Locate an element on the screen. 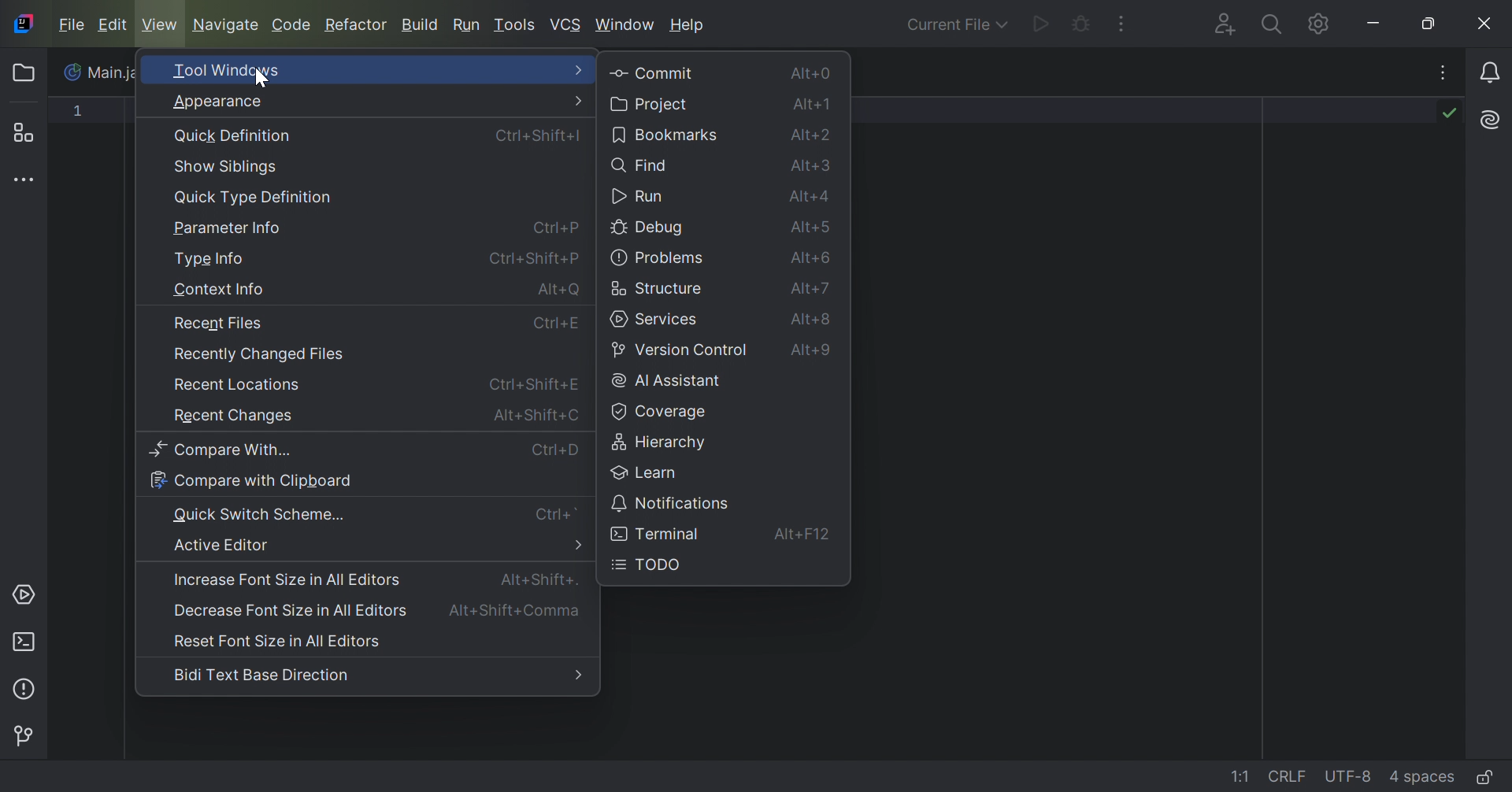 The height and width of the screenshot is (792, 1512). Debug is located at coordinates (650, 229).